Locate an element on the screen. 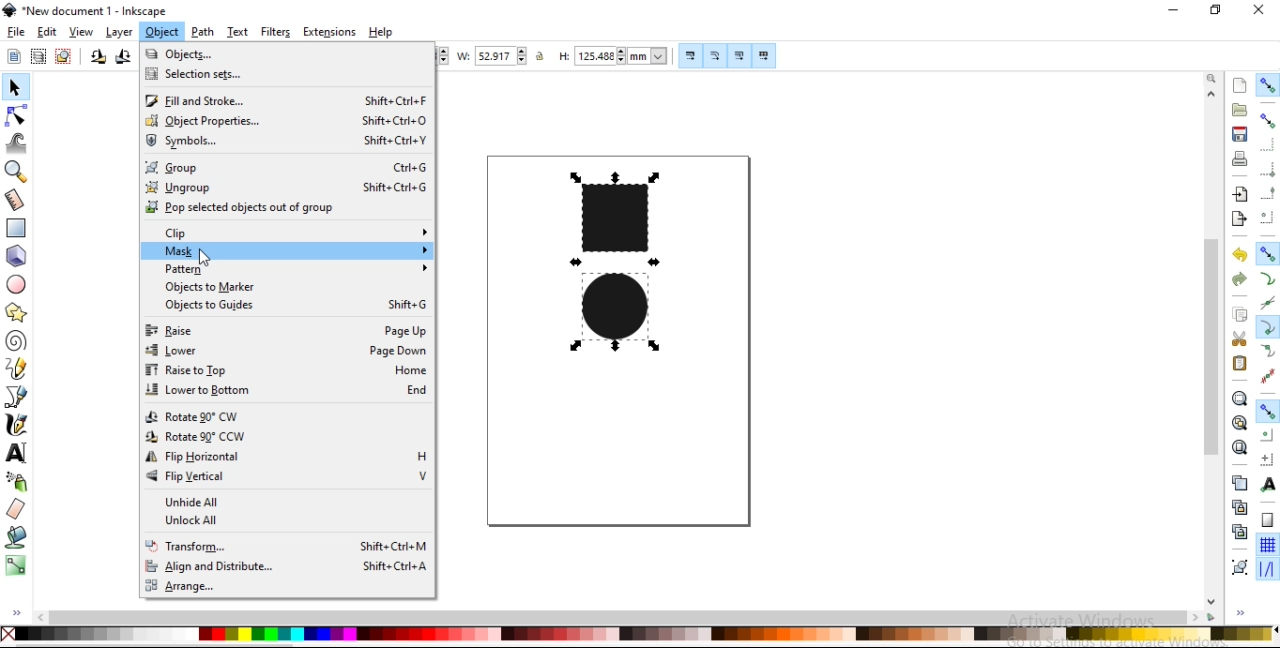  fill and strokes is located at coordinates (286, 102).